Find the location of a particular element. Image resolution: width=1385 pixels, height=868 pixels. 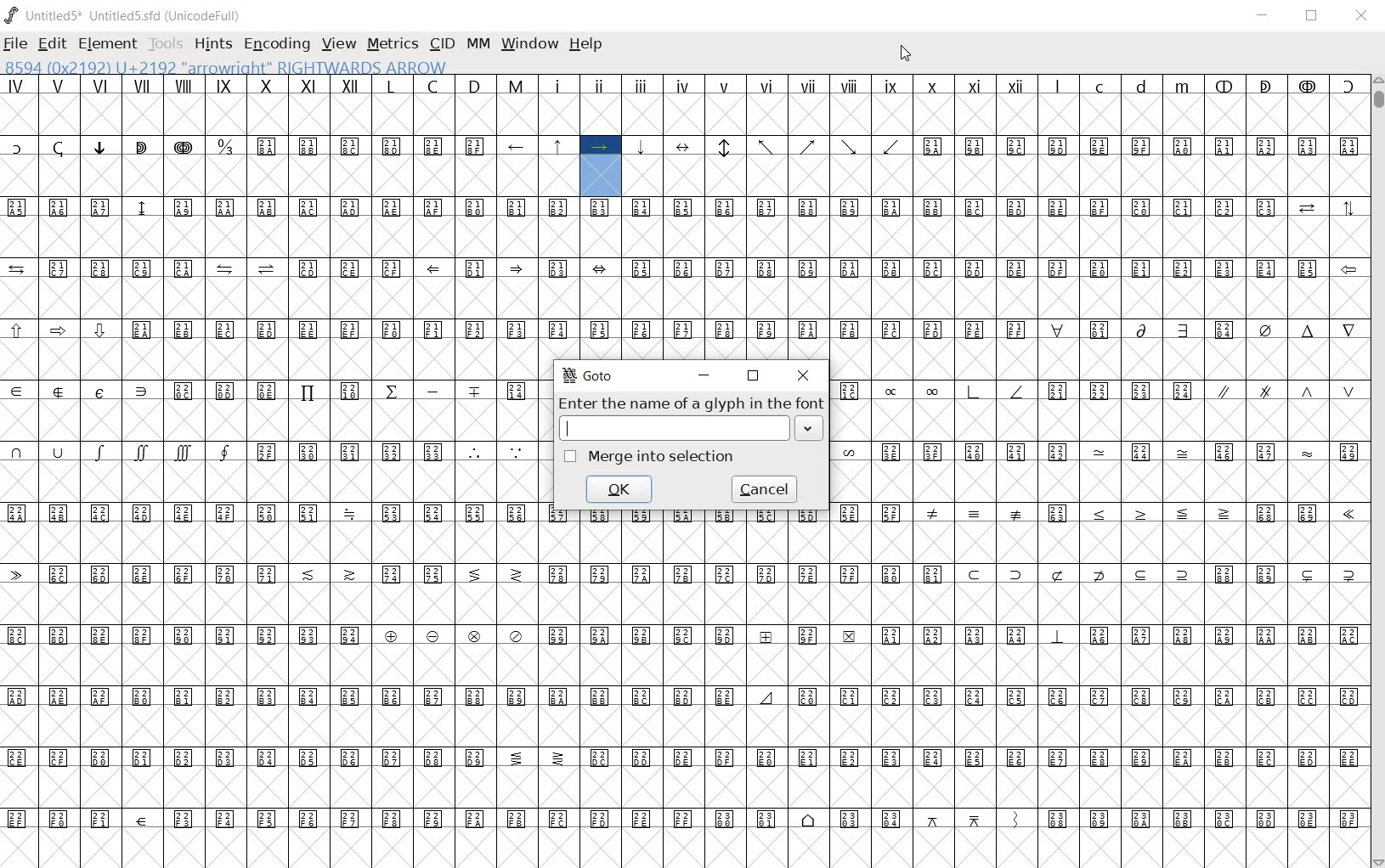

VIEW is located at coordinates (337, 44).